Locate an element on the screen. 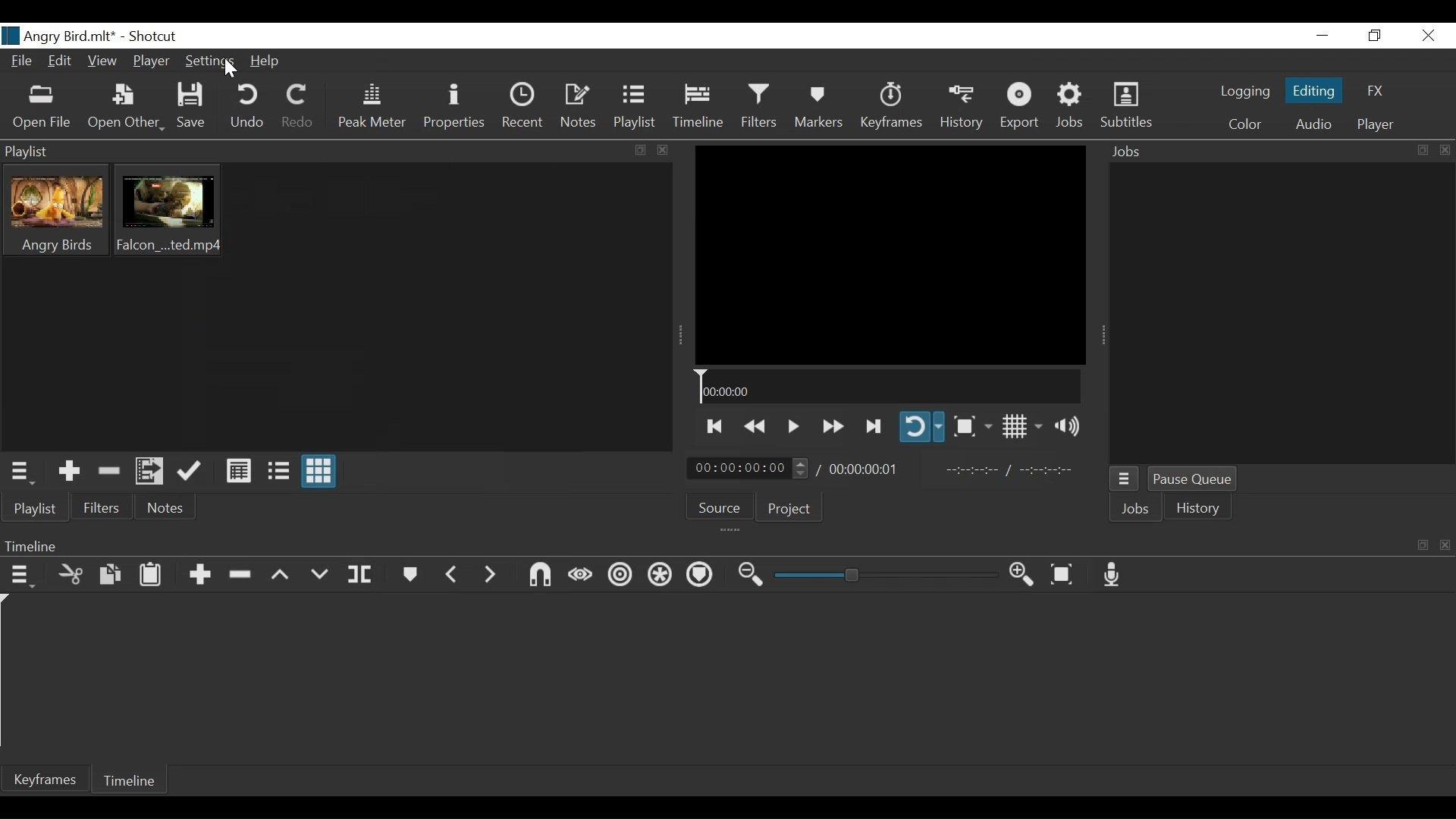 This screenshot has height=819, width=1456. Close is located at coordinates (1429, 36).